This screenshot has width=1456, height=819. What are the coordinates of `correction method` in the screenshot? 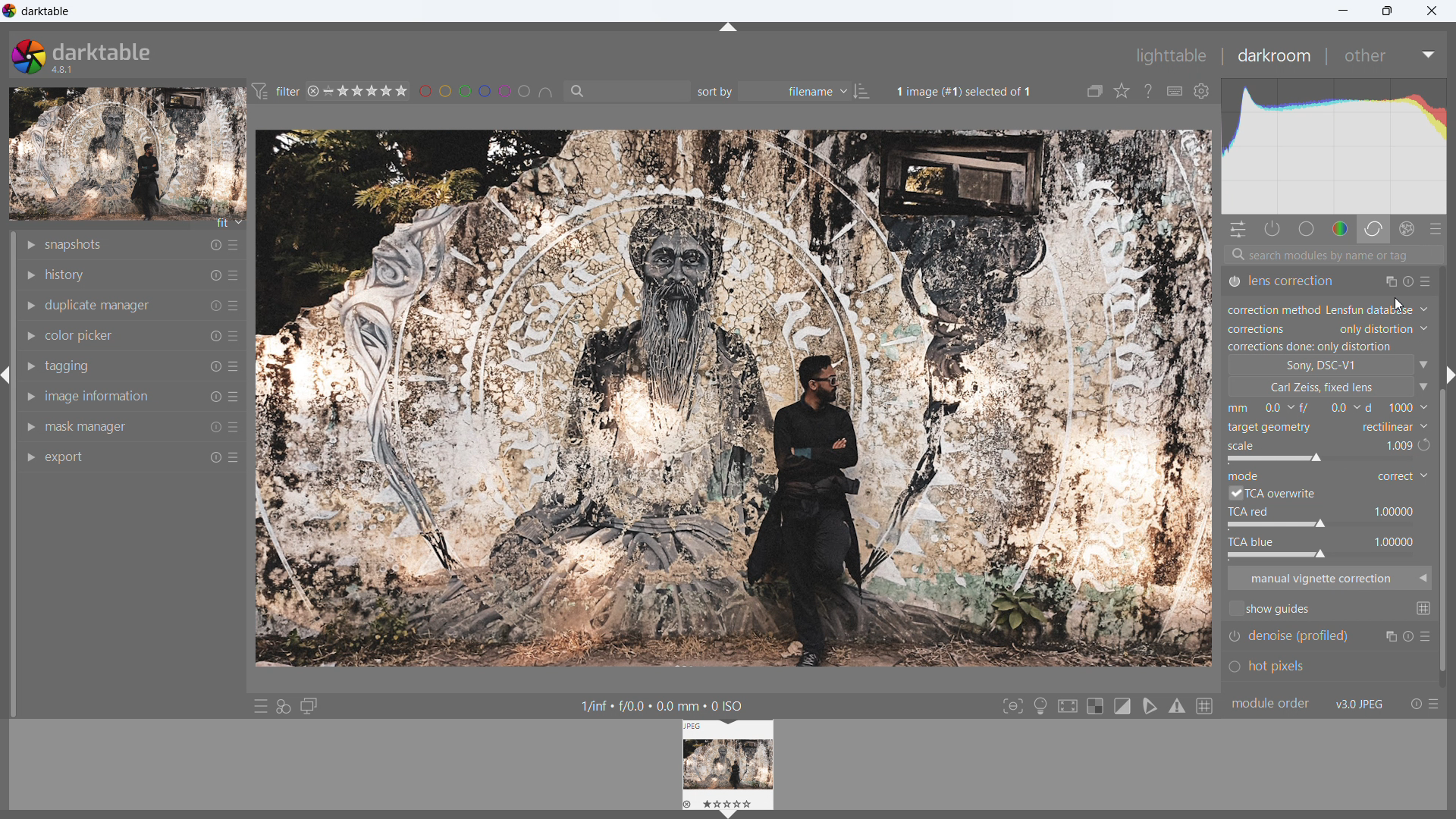 It's located at (1328, 311).